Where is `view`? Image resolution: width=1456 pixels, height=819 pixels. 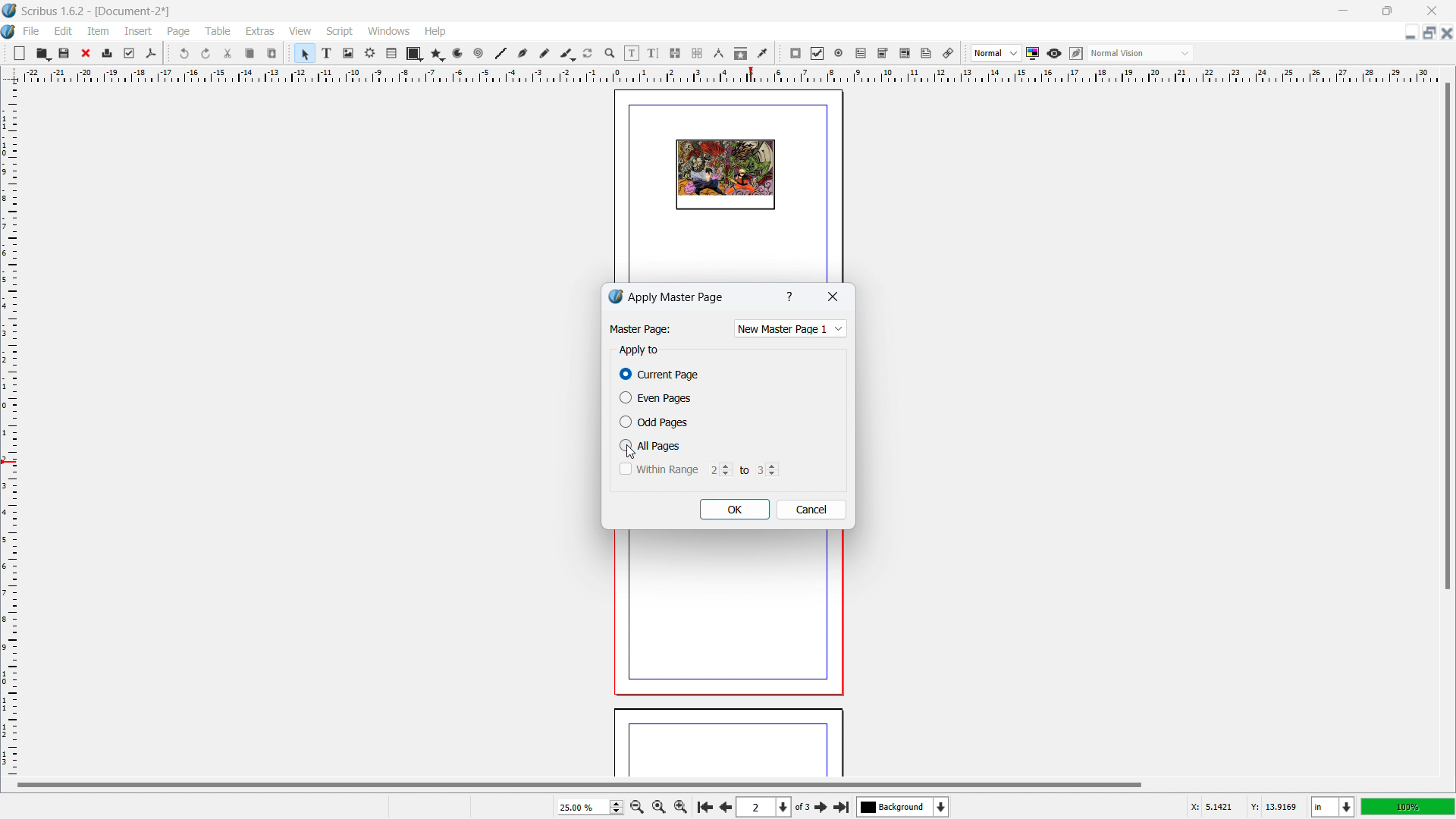
view is located at coordinates (300, 32).